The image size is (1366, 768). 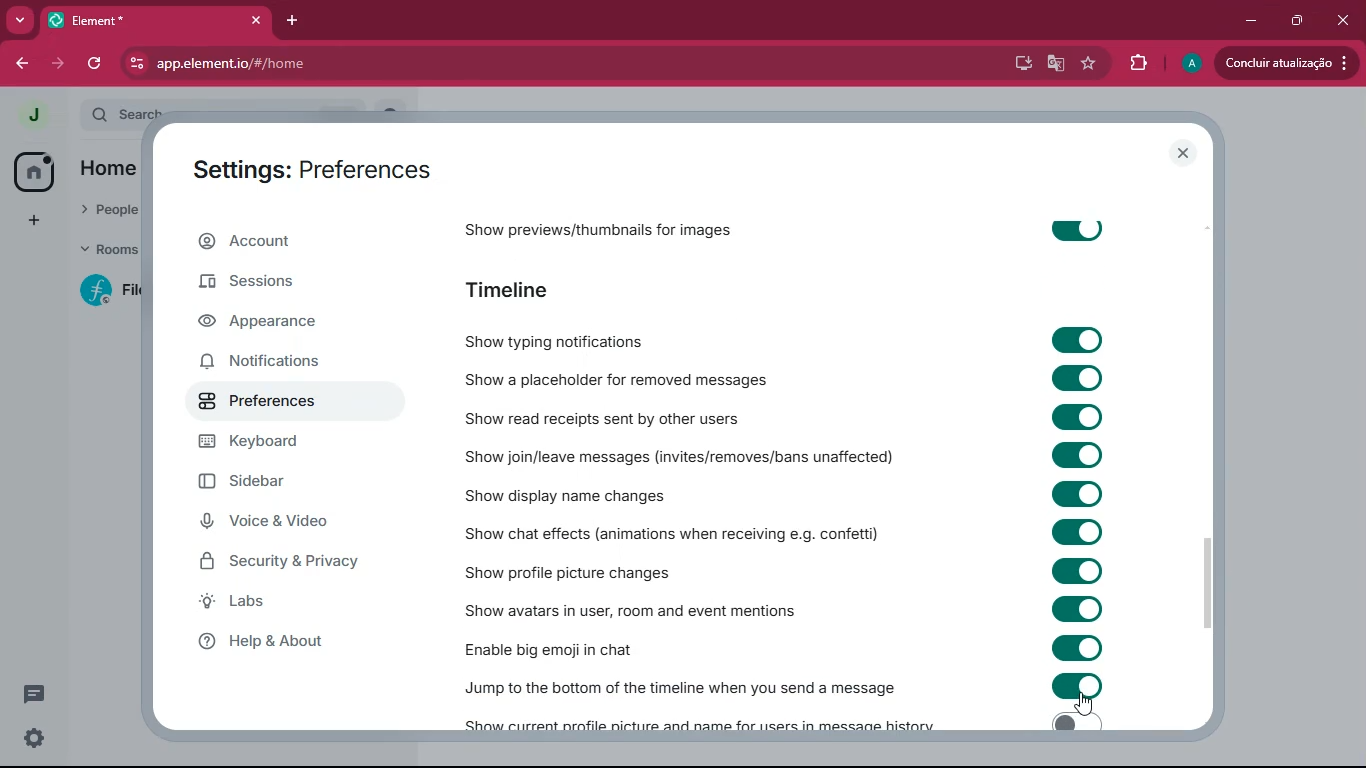 What do you see at coordinates (680, 457) in the screenshot?
I see `show join / leave messages (invites/removes/ban unaffected)` at bounding box center [680, 457].